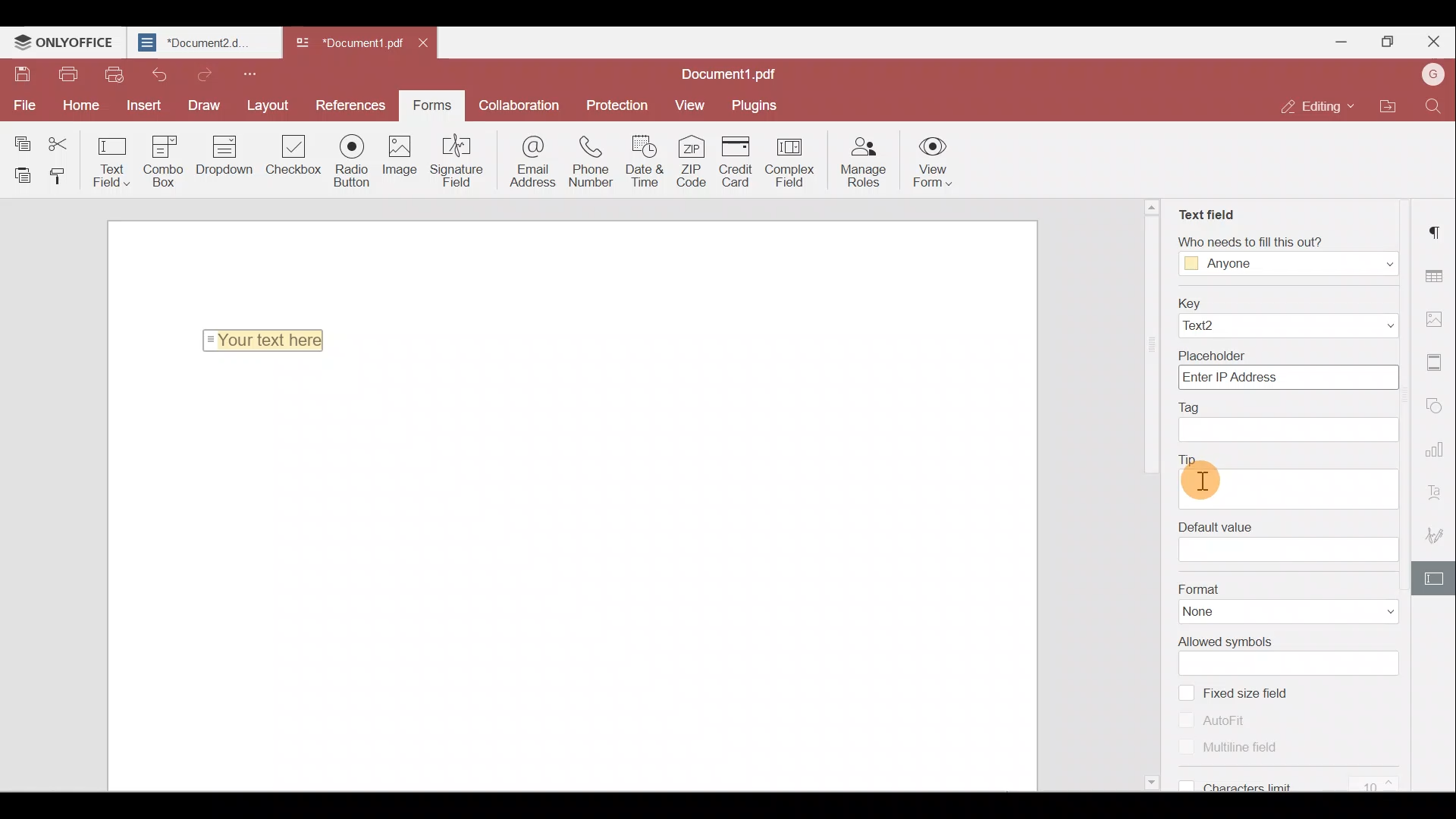  I want to click on Copy style, so click(59, 178).